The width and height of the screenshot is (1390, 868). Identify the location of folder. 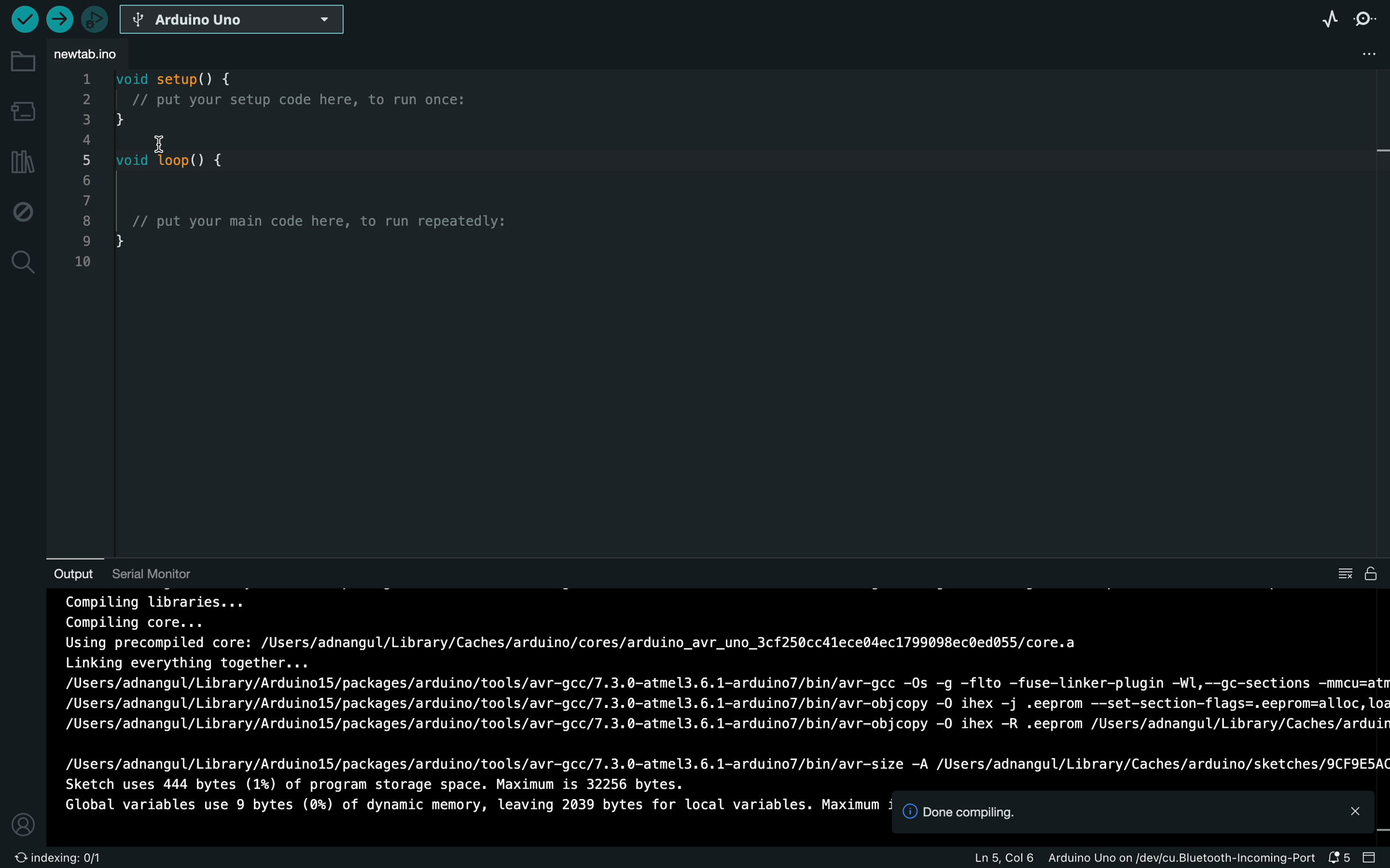
(24, 63).